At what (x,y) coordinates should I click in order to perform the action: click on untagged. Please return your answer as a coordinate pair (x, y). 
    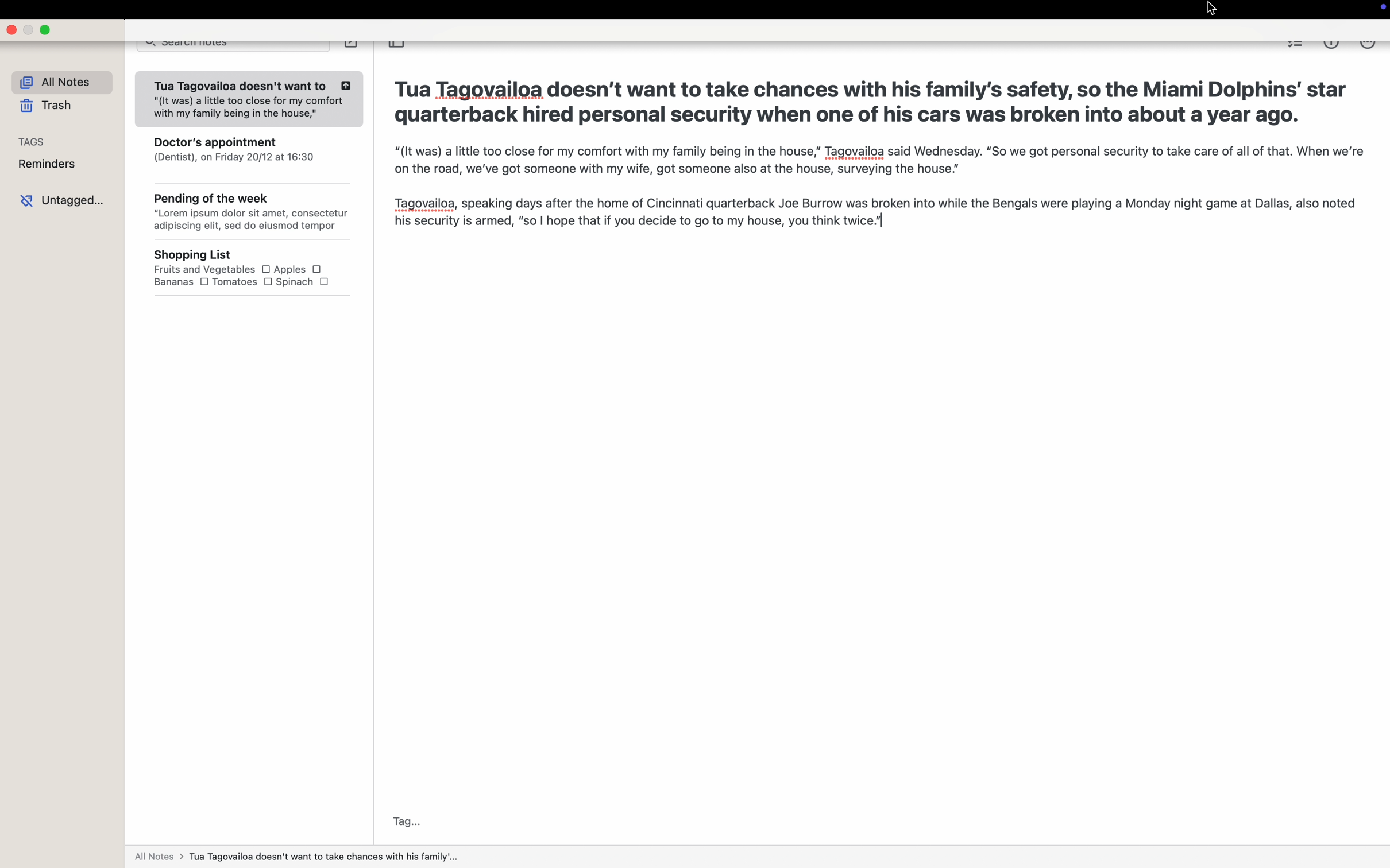
    Looking at the image, I should click on (60, 200).